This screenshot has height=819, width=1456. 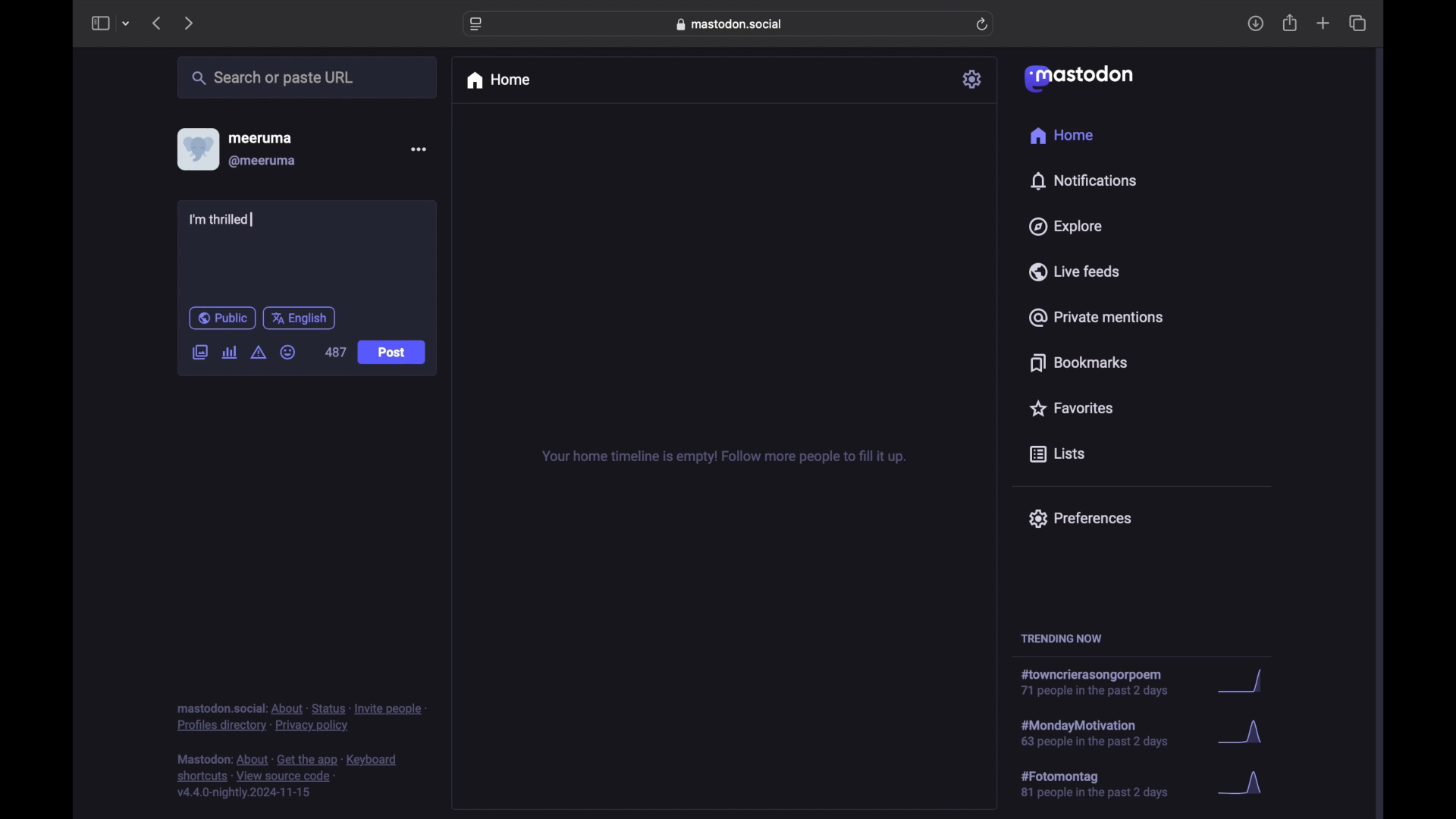 What do you see at coordinates (1073, 271) in the screenshot?
I see `live feeds` at bounding box center [1073, 271].